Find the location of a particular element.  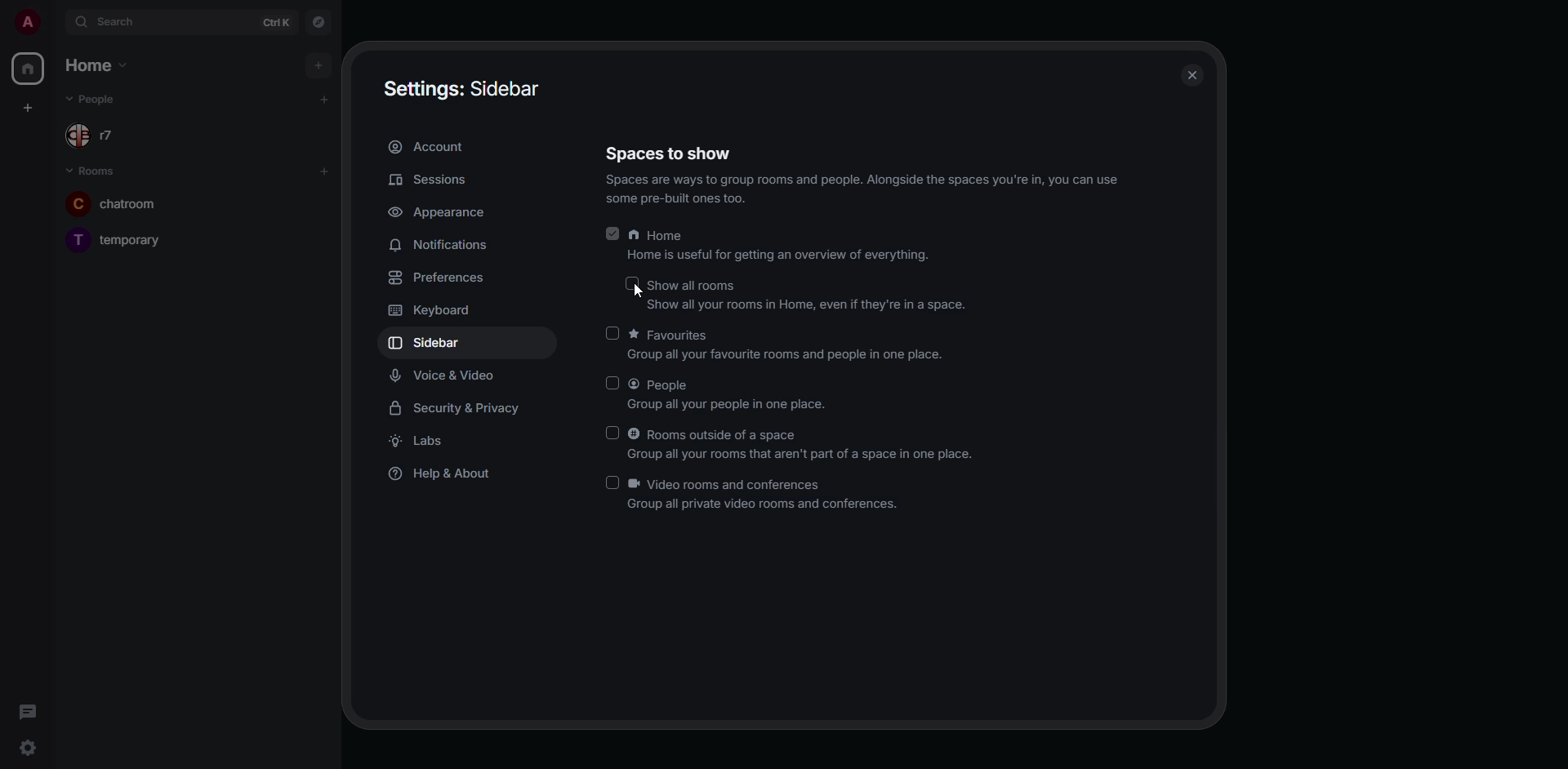

sessions is located at coordinates (434, 180).